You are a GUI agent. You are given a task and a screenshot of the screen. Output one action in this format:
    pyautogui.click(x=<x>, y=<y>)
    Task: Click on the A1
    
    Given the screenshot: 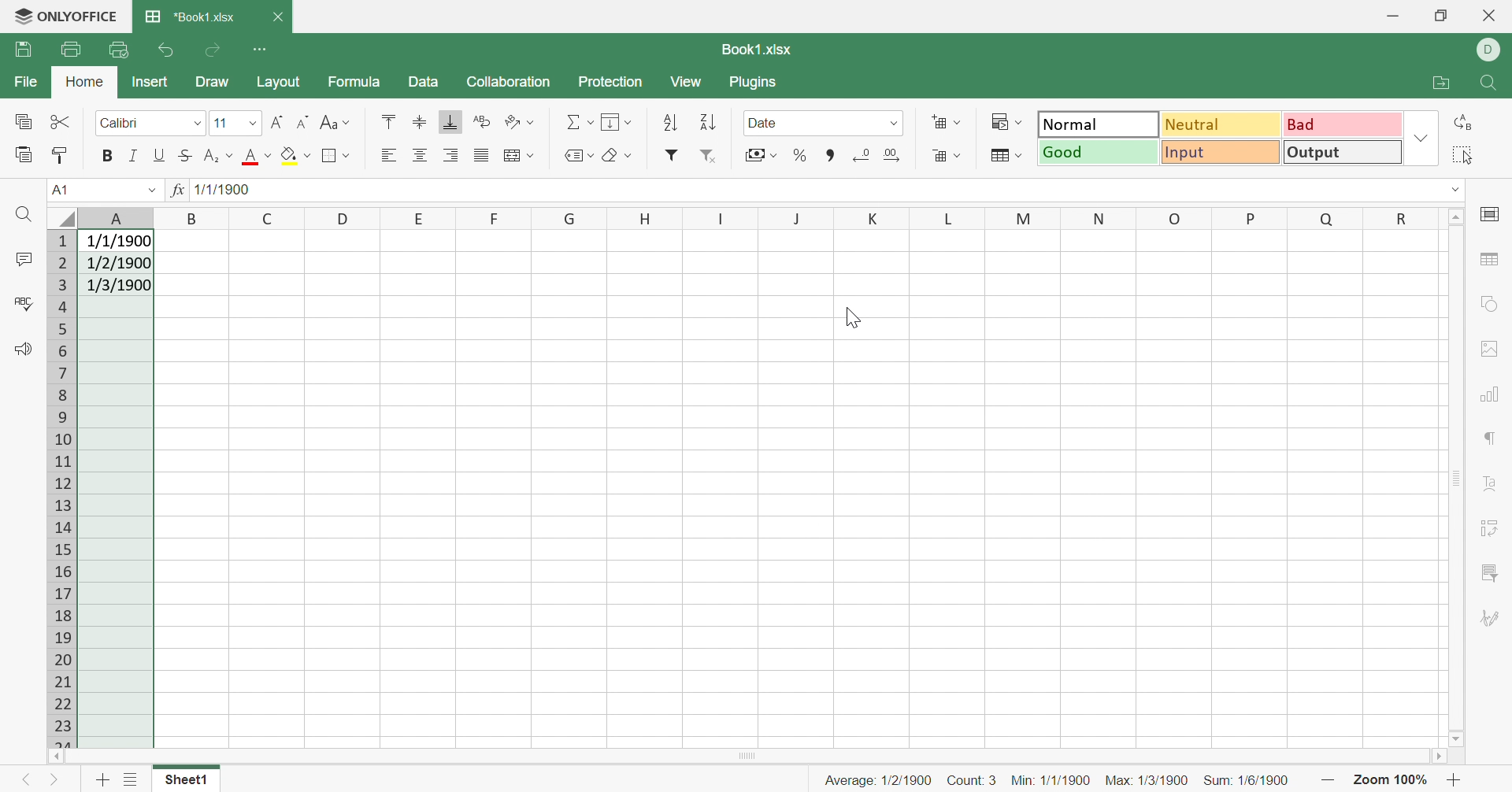 What is the action you would take?
    pyautogui.click(x=61, y=191)
    